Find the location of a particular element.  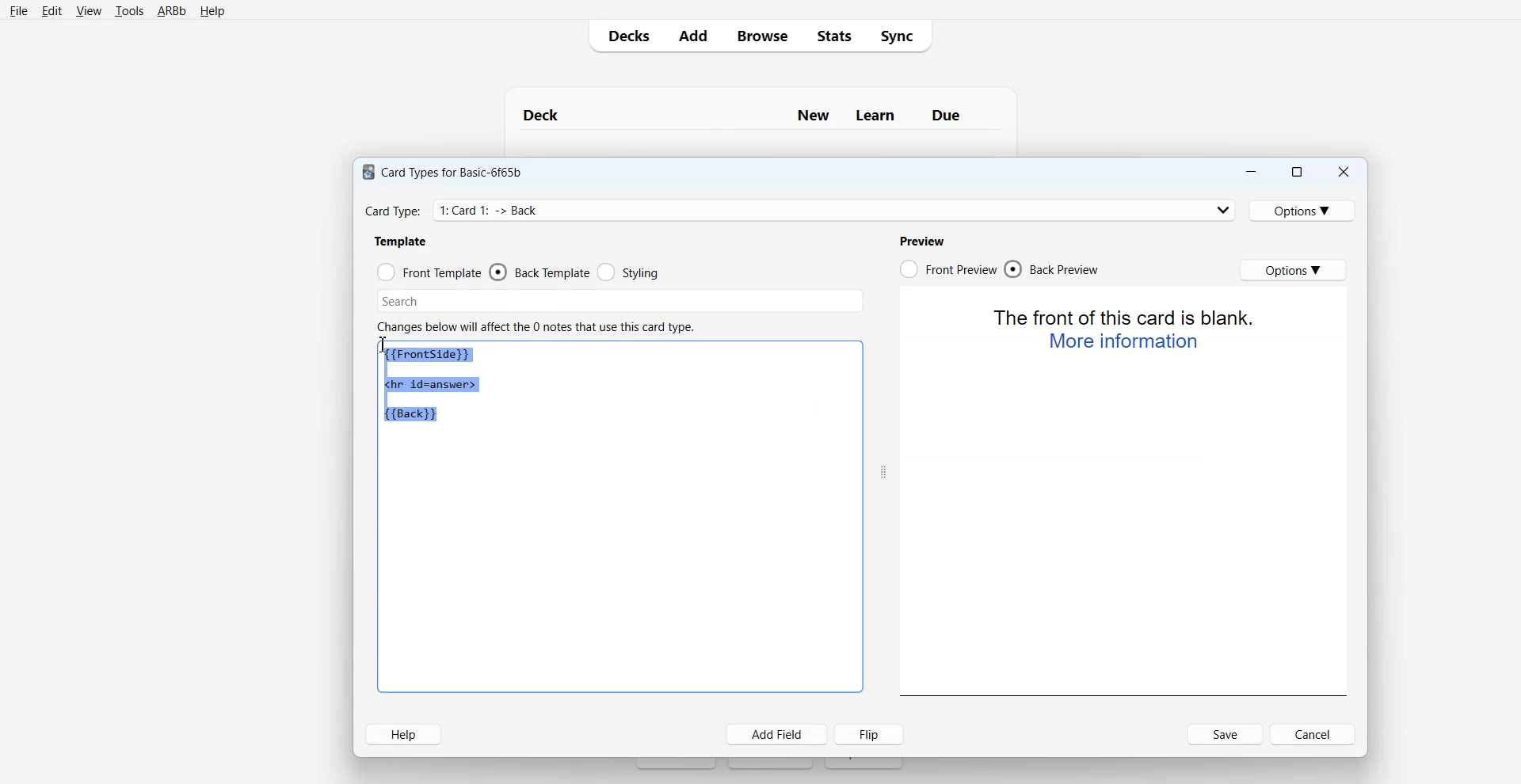

Styling is located at coordinates (628, 272).